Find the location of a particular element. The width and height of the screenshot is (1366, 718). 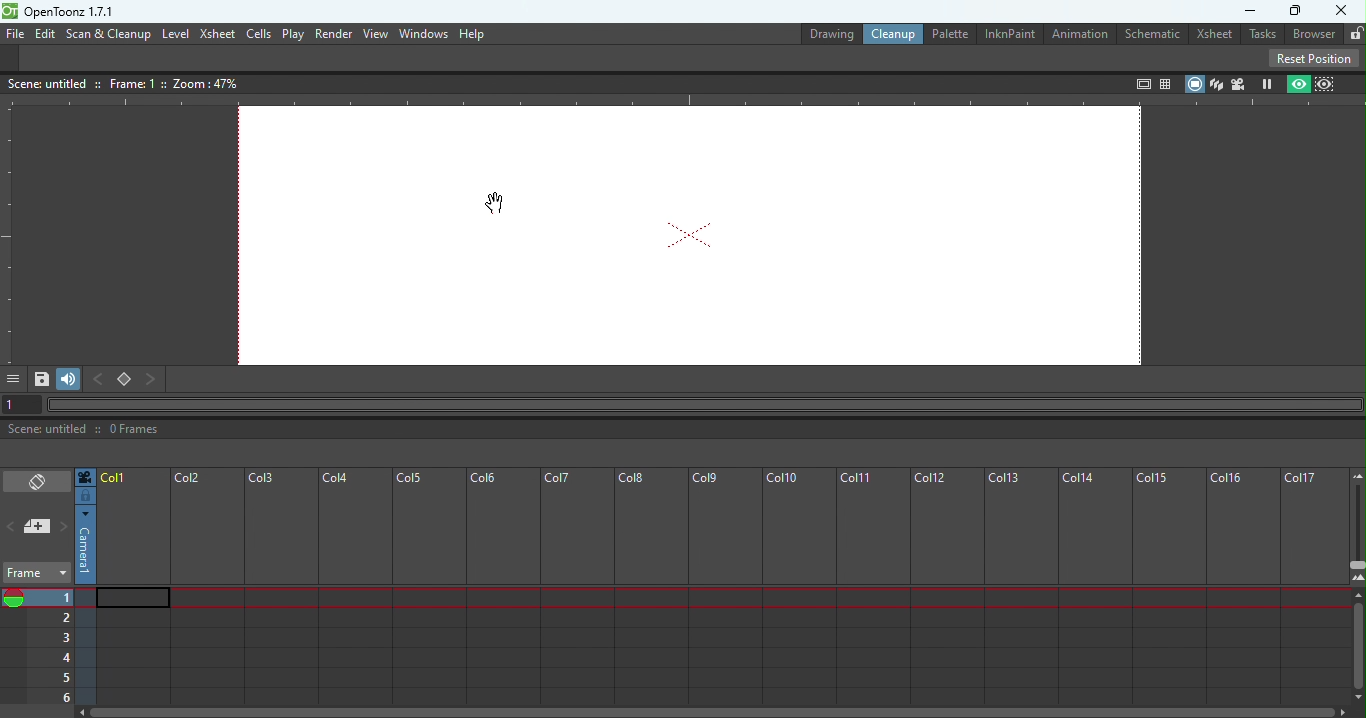

Minimize is located at coordinates (1244, 11).